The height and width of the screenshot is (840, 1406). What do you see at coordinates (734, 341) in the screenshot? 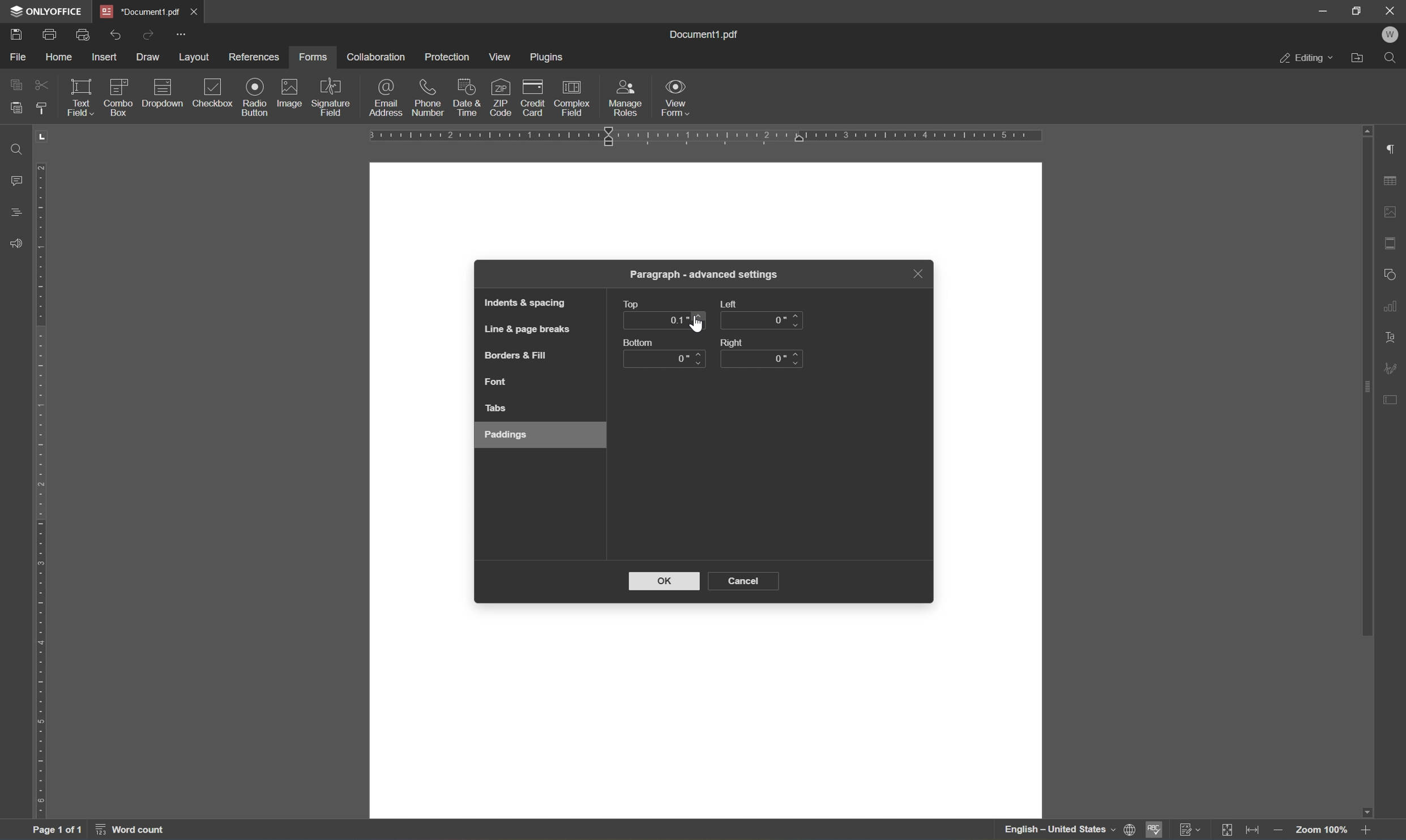
I see `right` at bounding box center [734, 341].